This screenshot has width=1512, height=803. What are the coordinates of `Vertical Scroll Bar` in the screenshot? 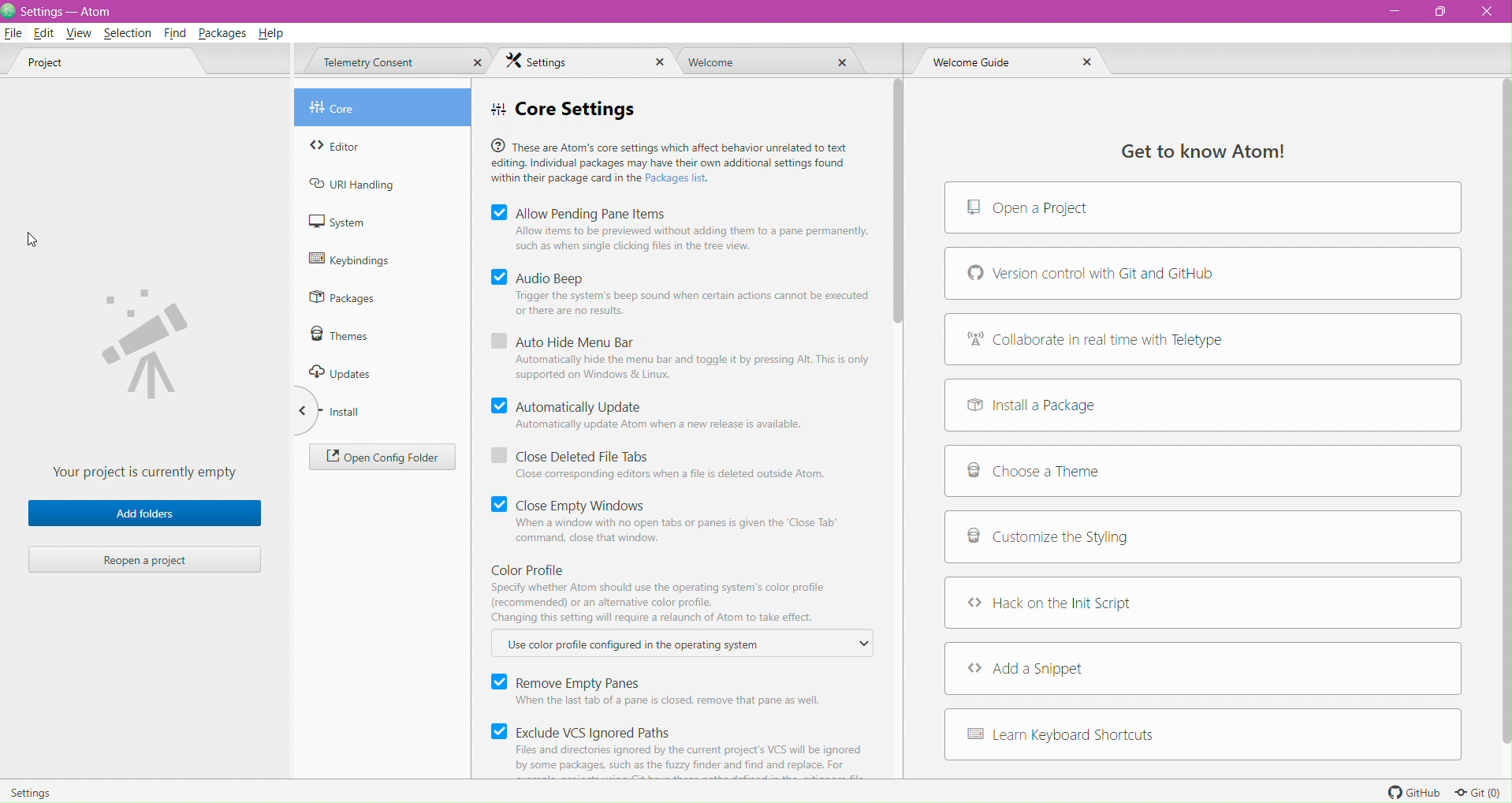 It's located at (898, 203).